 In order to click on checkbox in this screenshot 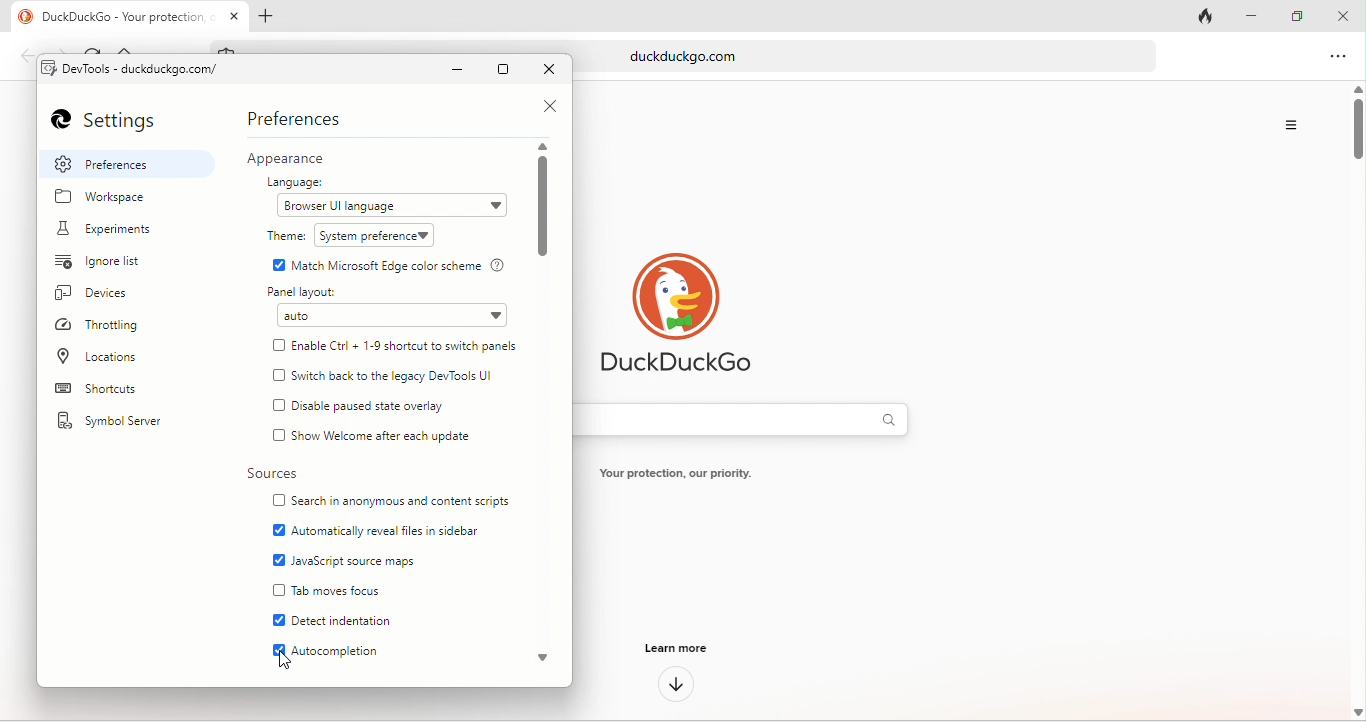, I will do `click(280, 437)`.